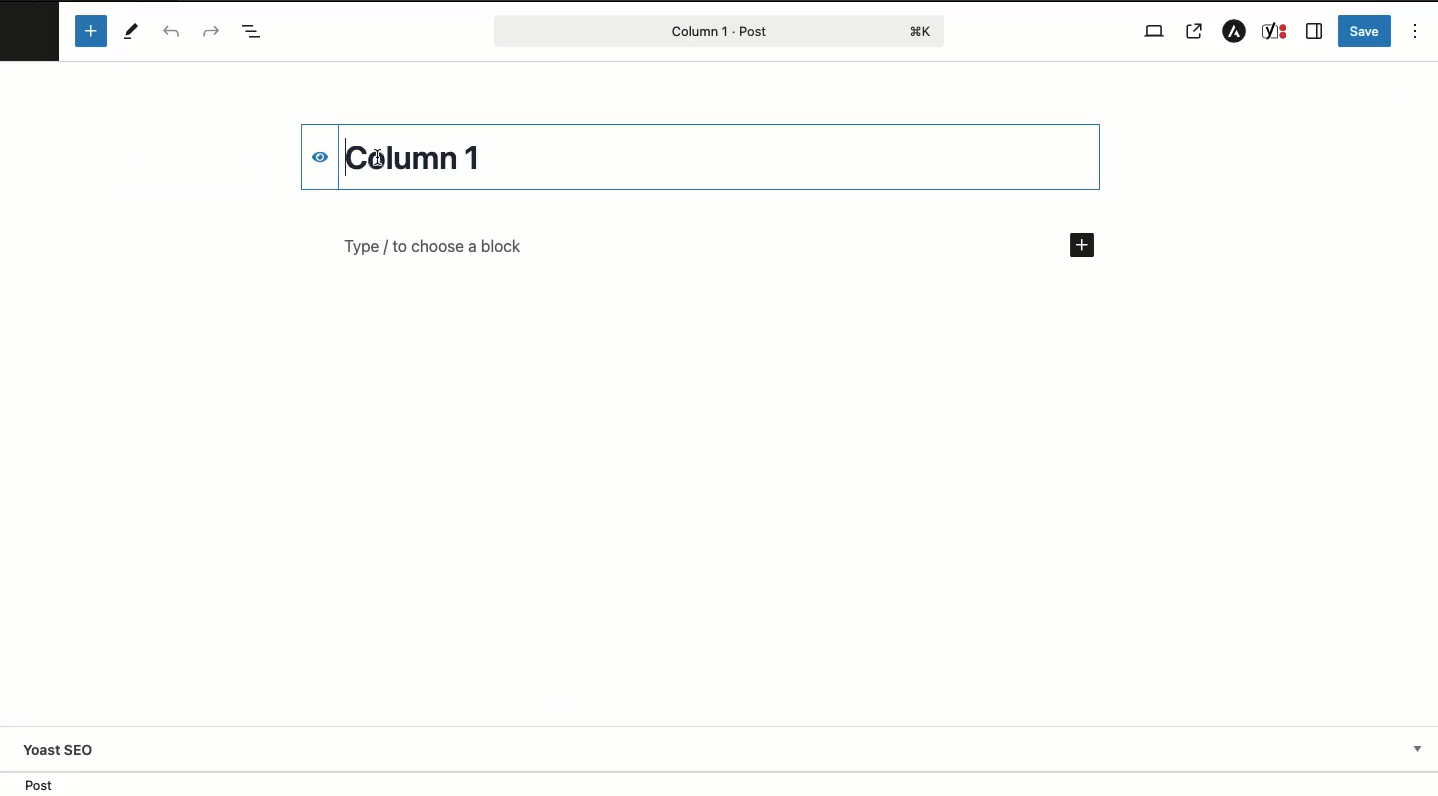 The image size is (1438, 796). Describe the element at coordinates (30, 26) in the screenshot. I see `Wordpress logo` at that location.